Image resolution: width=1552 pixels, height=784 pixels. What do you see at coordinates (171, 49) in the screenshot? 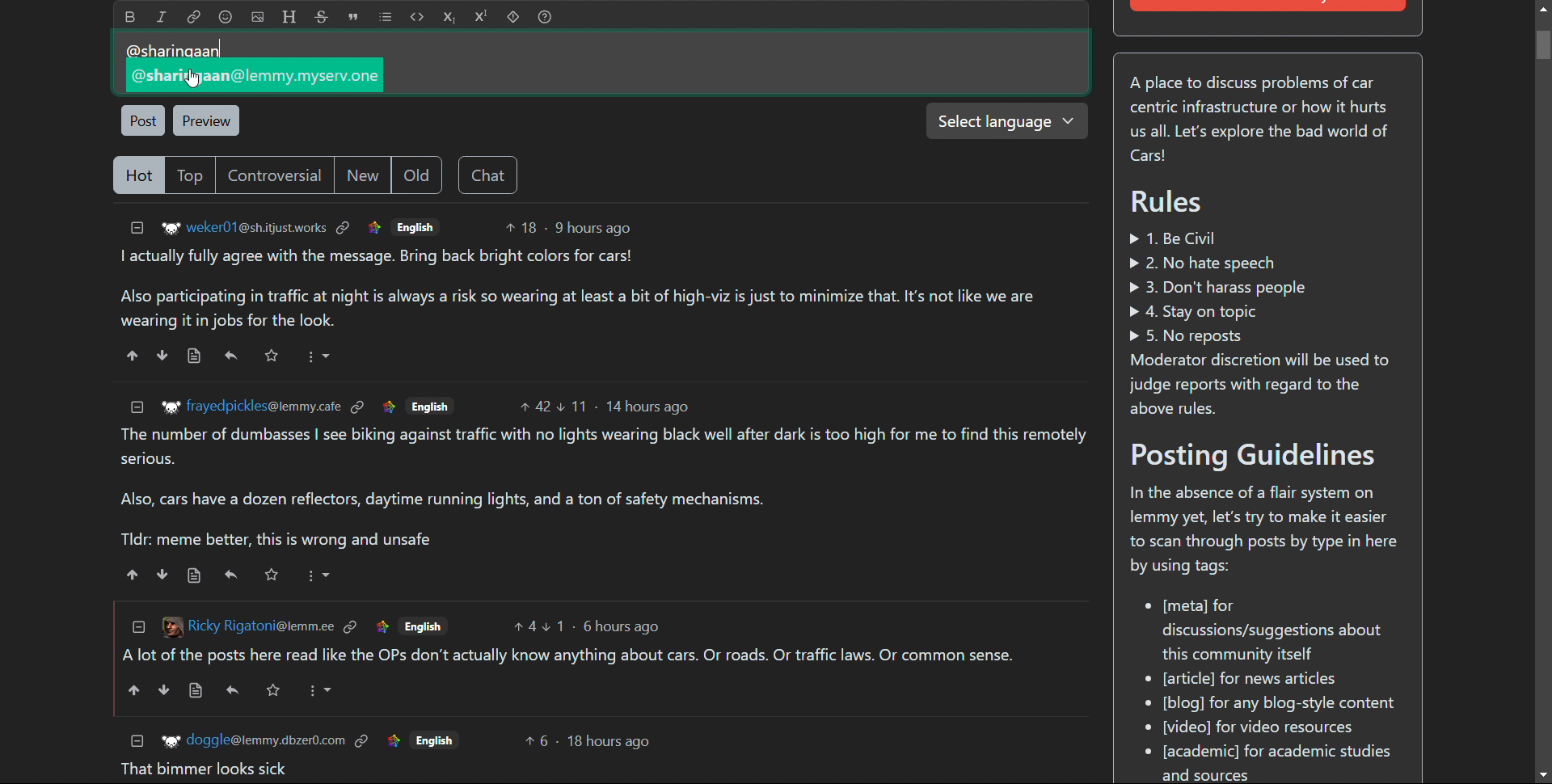
I see `@sharinaaan` at bounding box center [171, 49].